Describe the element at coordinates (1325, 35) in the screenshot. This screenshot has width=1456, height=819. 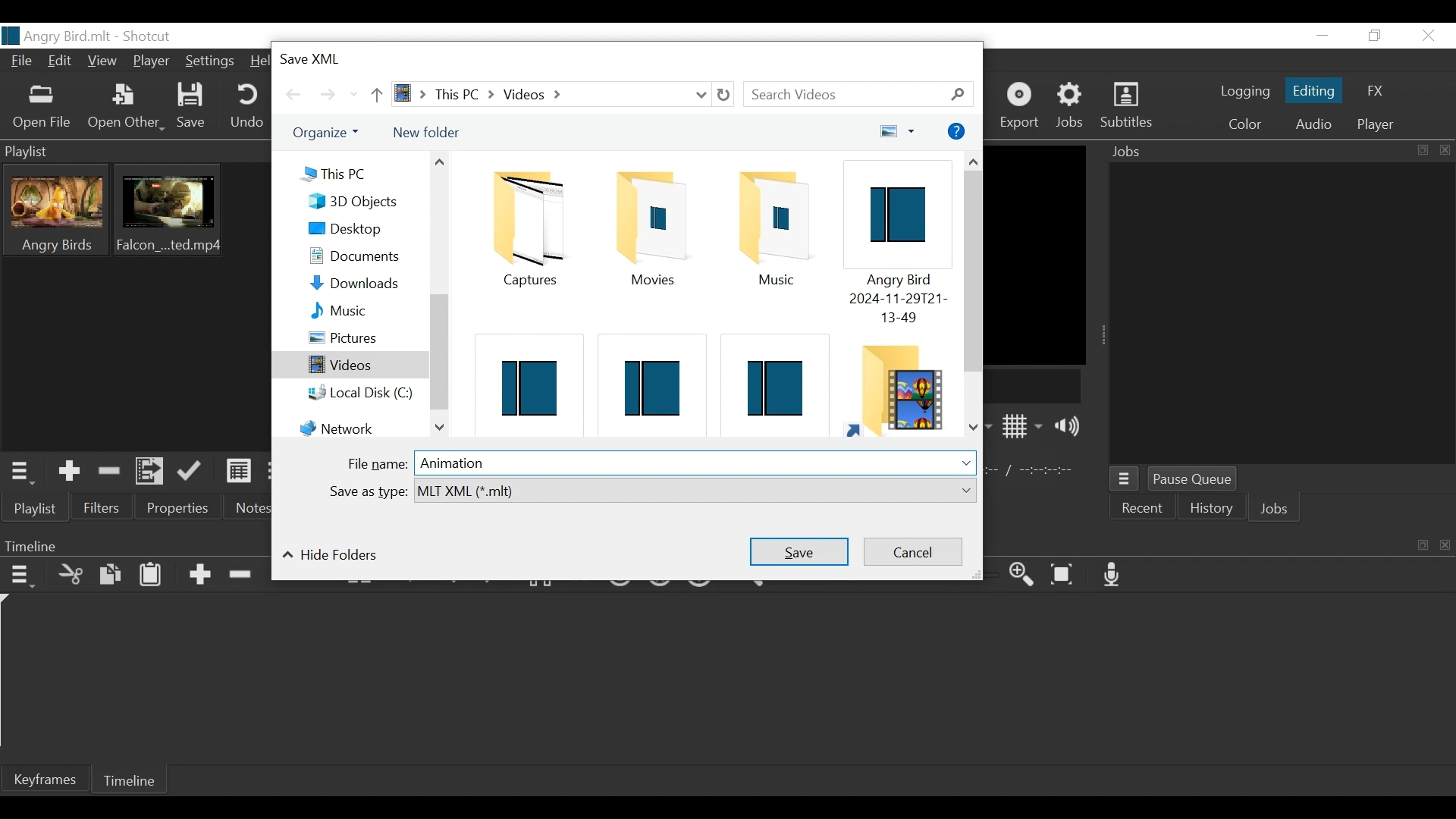
I see `minimize` at that location.